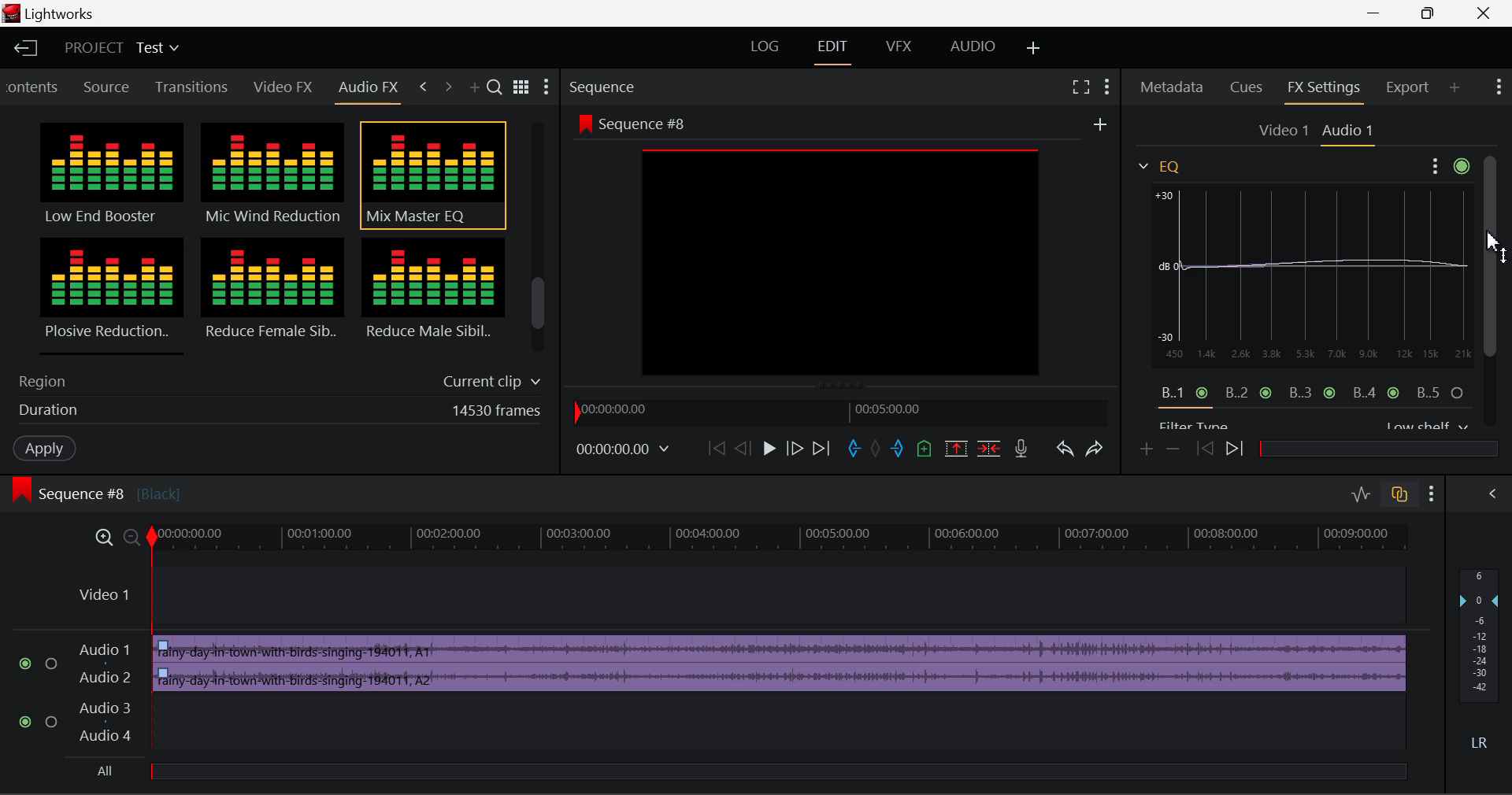  Describe the element at coordinates (1173, 89) in the screenshot. I see `Metadata` at that location.